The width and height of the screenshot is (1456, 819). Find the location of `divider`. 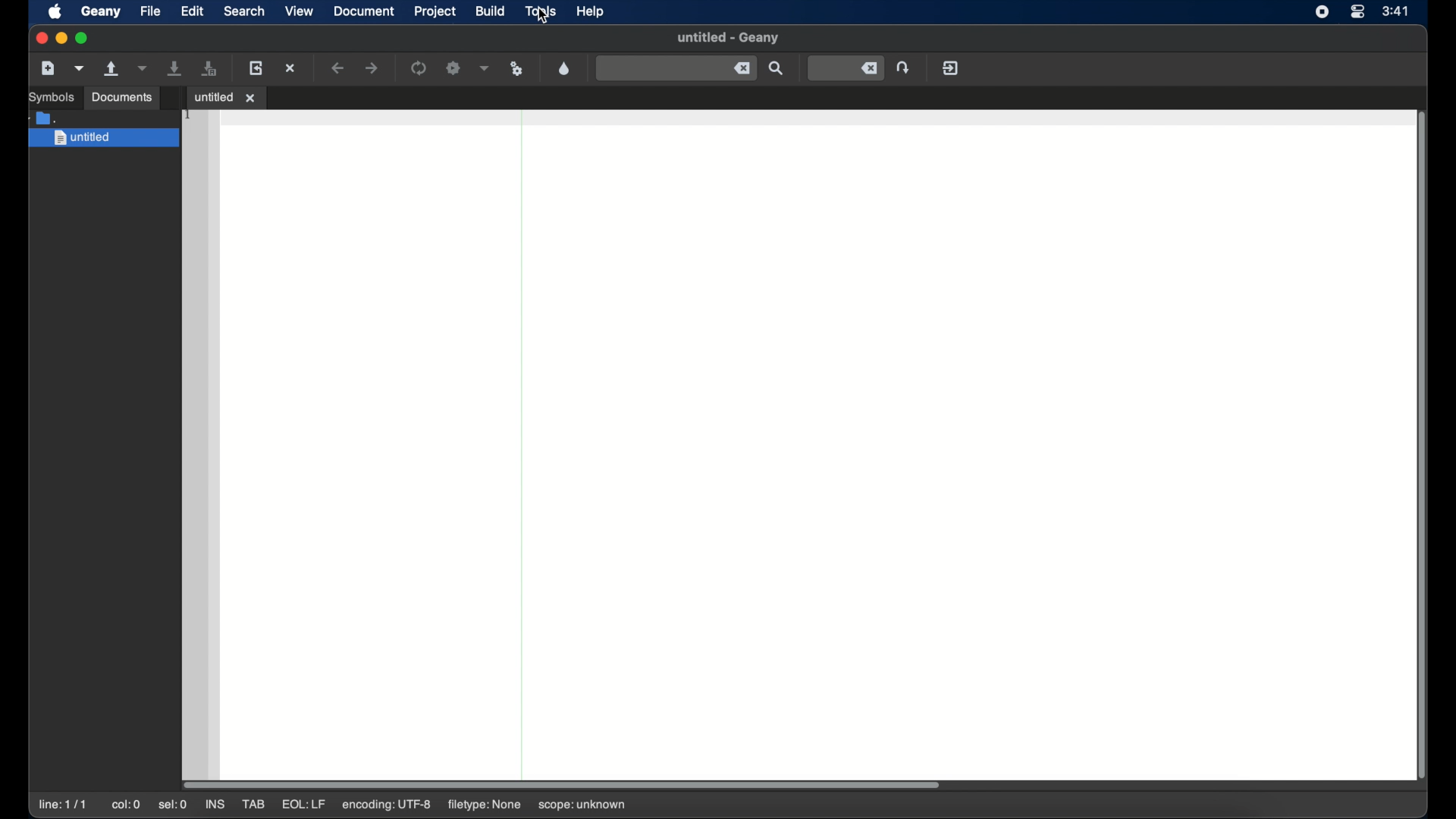

divider is located at coordinates (522, 438).